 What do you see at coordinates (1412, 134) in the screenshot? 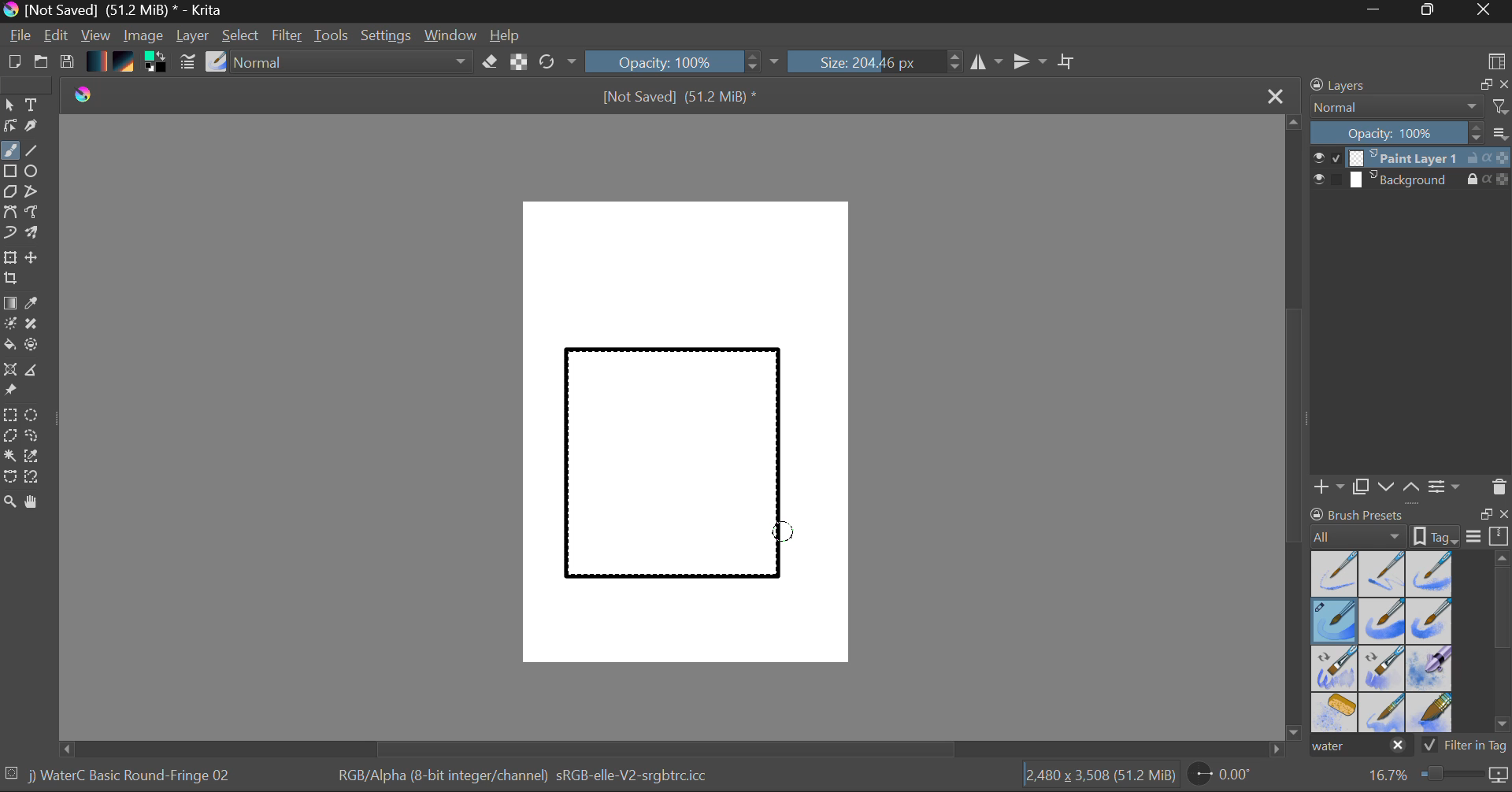
I see `Layer Opacity` at bounding box center [1412, 134].